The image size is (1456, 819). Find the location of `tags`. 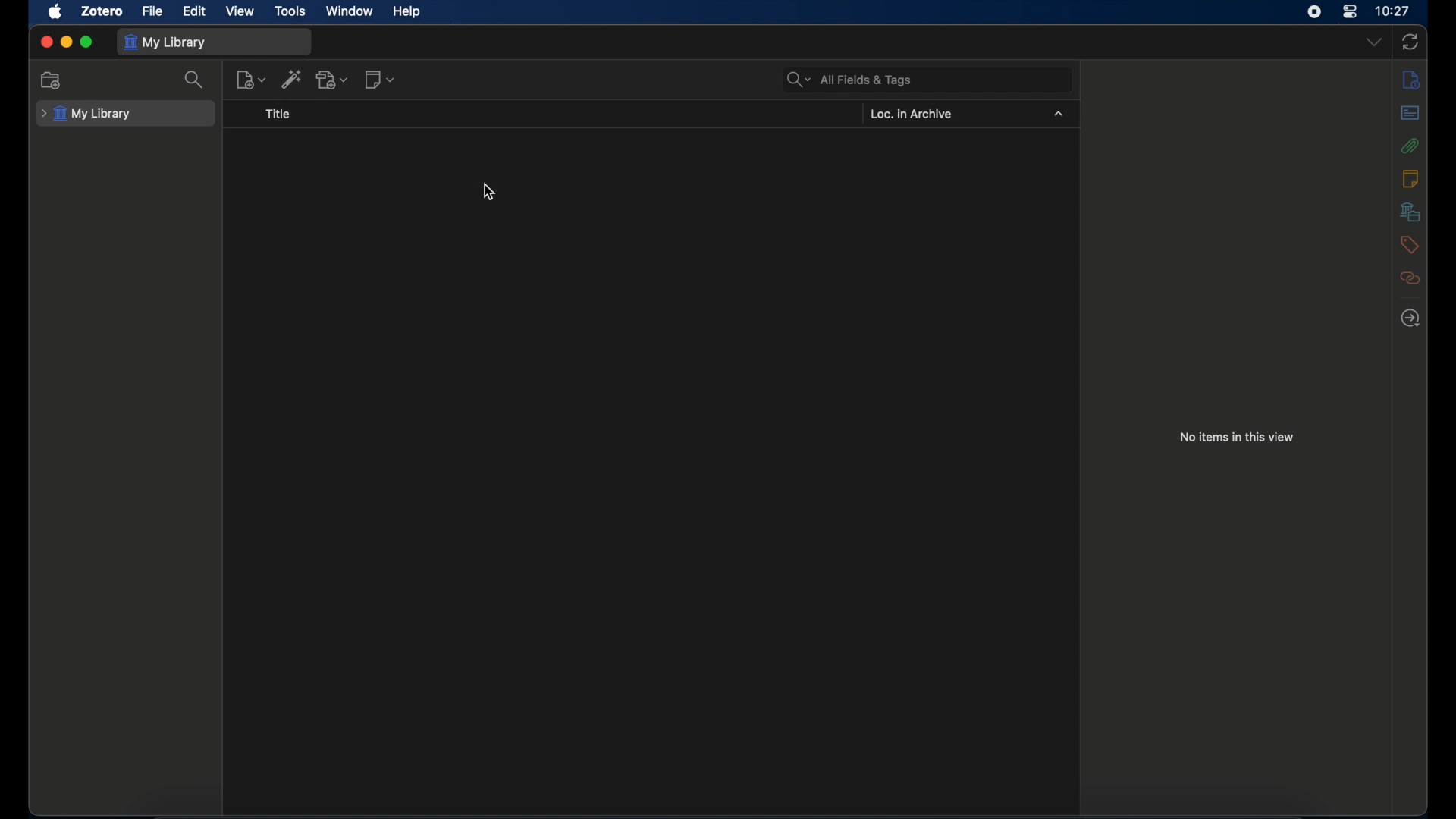

tags is located at coordinates (1407, 245).